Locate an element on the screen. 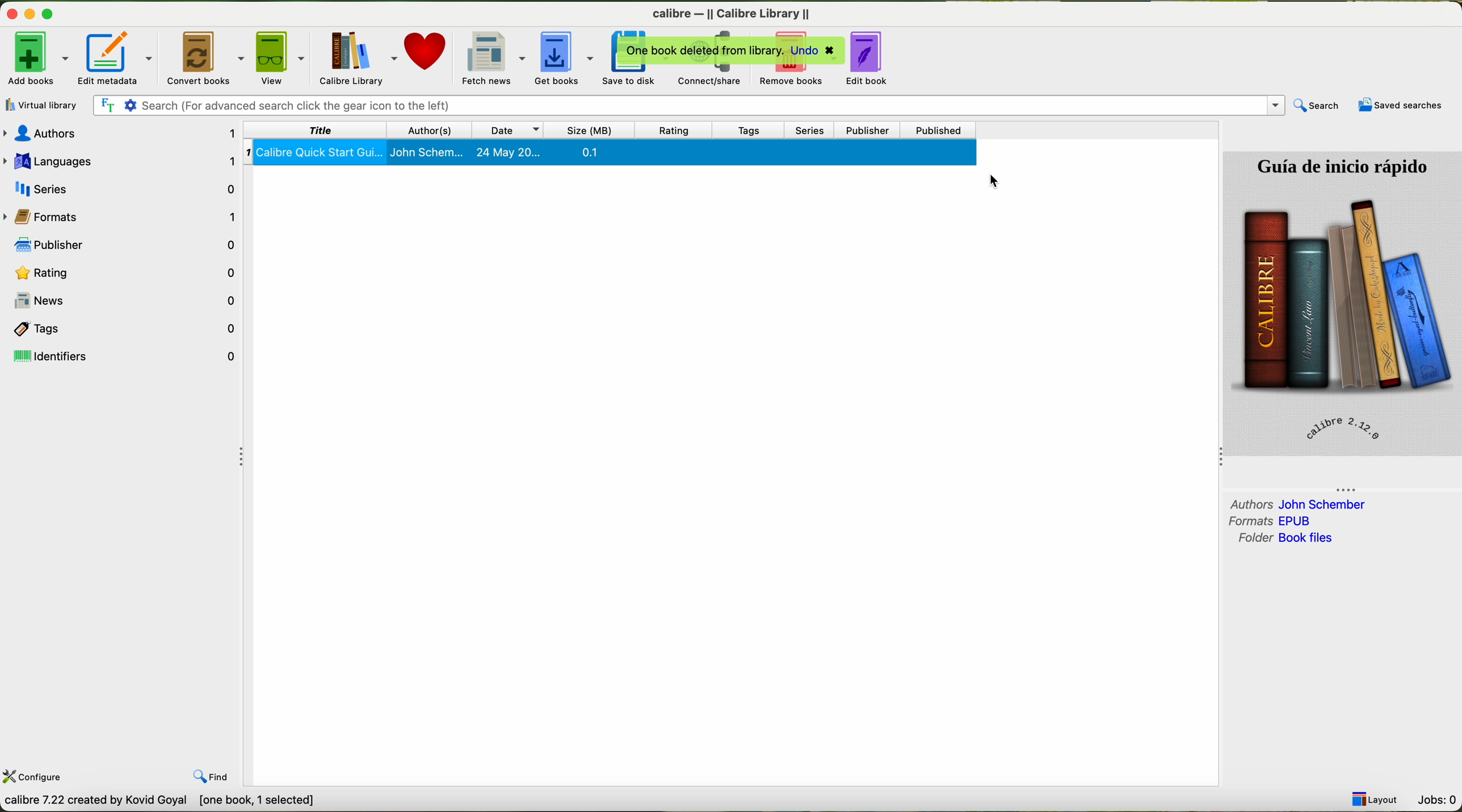 Image resolution: width=1462 pixels, height=812 pixels. calibre by David Goyal is located at coordinates (154, 802).